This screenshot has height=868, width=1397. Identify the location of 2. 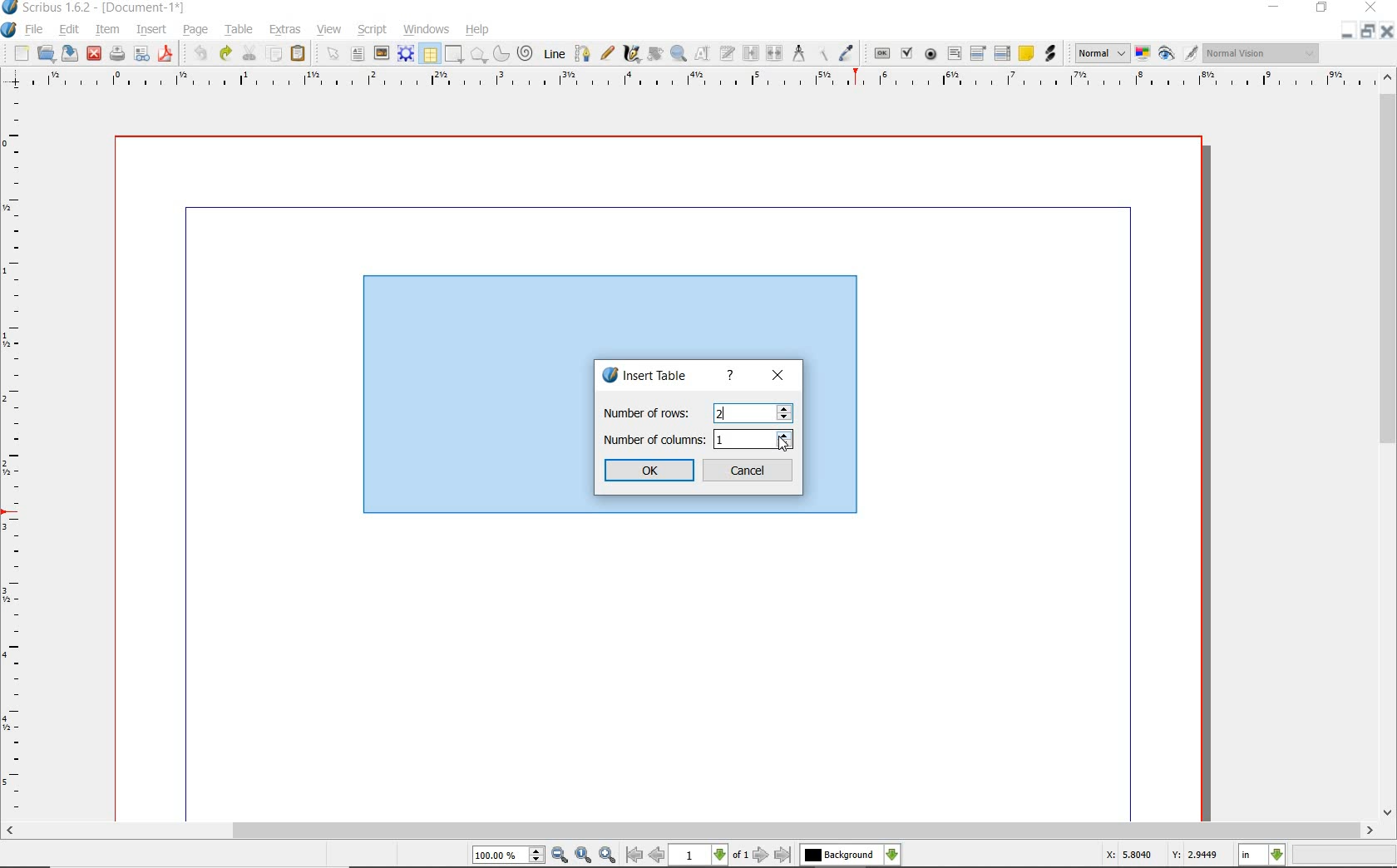
(723, 415).